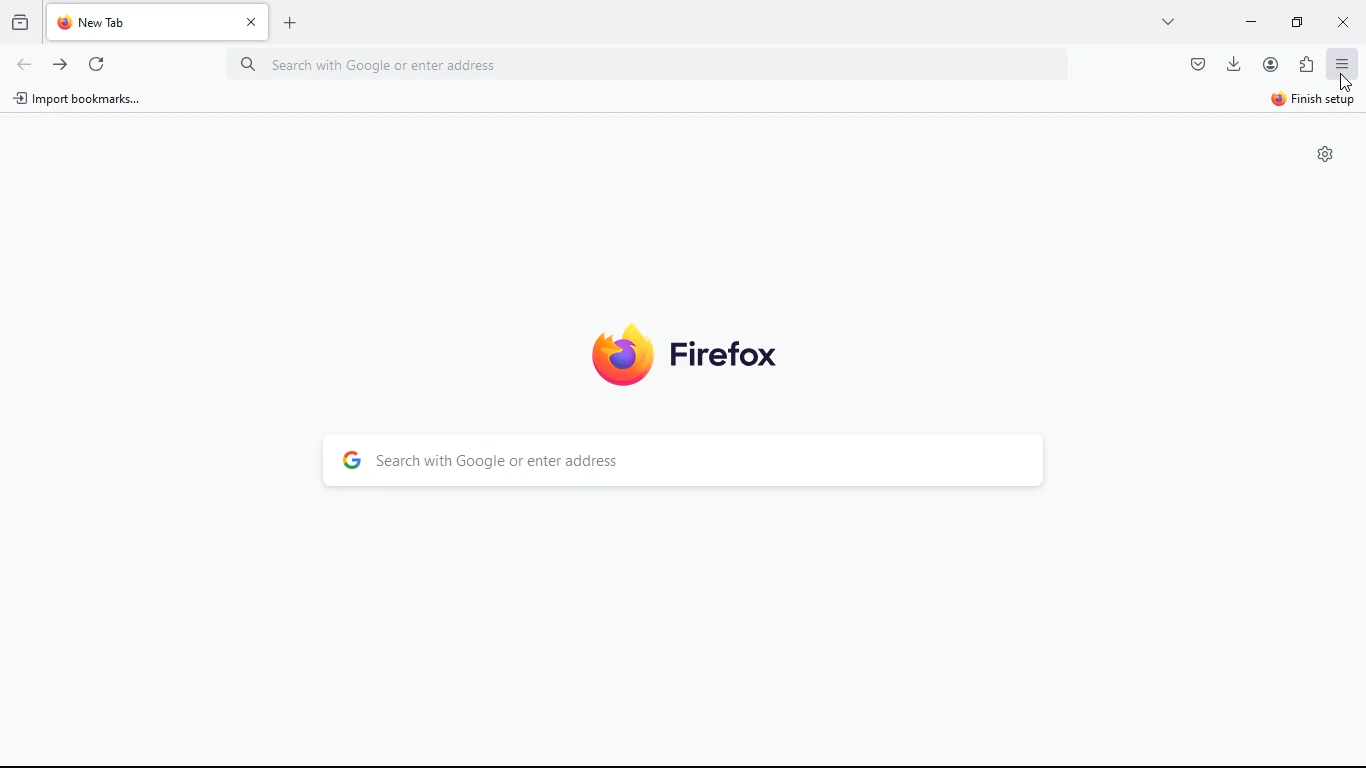  Describe the element at coordinates (1252, 22) in the screenshot. I see `minimize` at that location.